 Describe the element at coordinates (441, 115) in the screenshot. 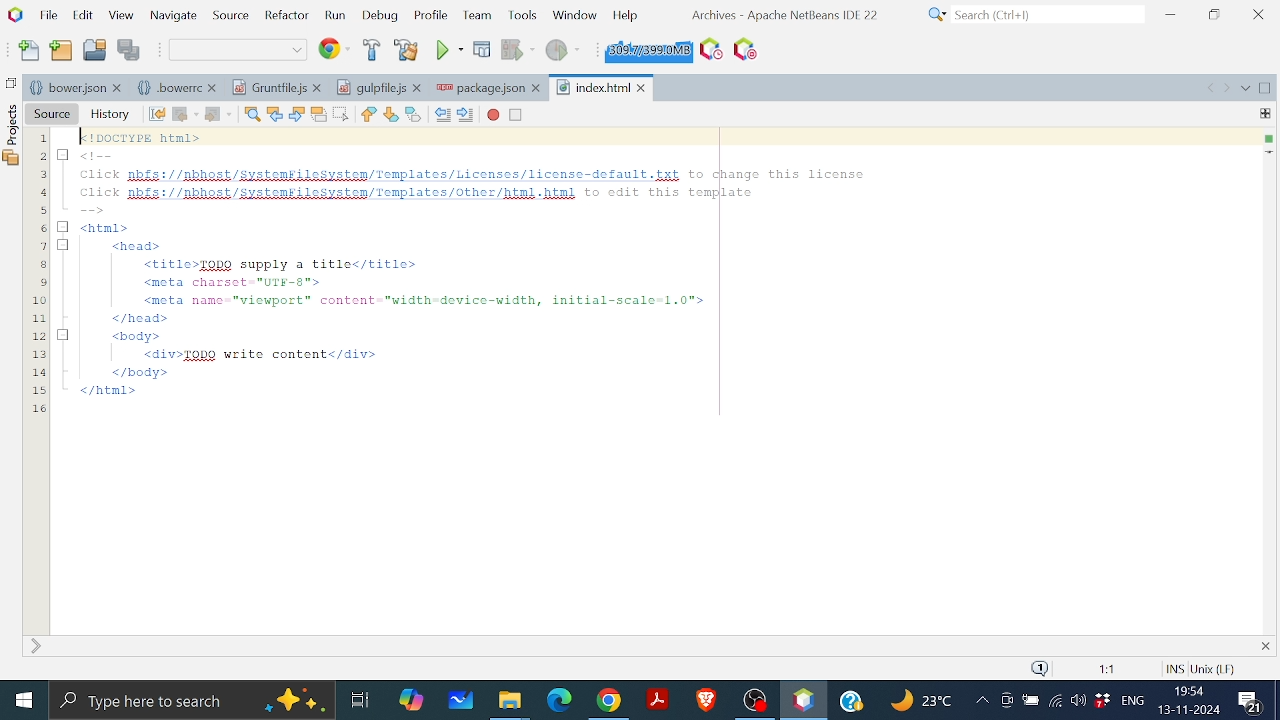

I see `Shift line left` at that location.